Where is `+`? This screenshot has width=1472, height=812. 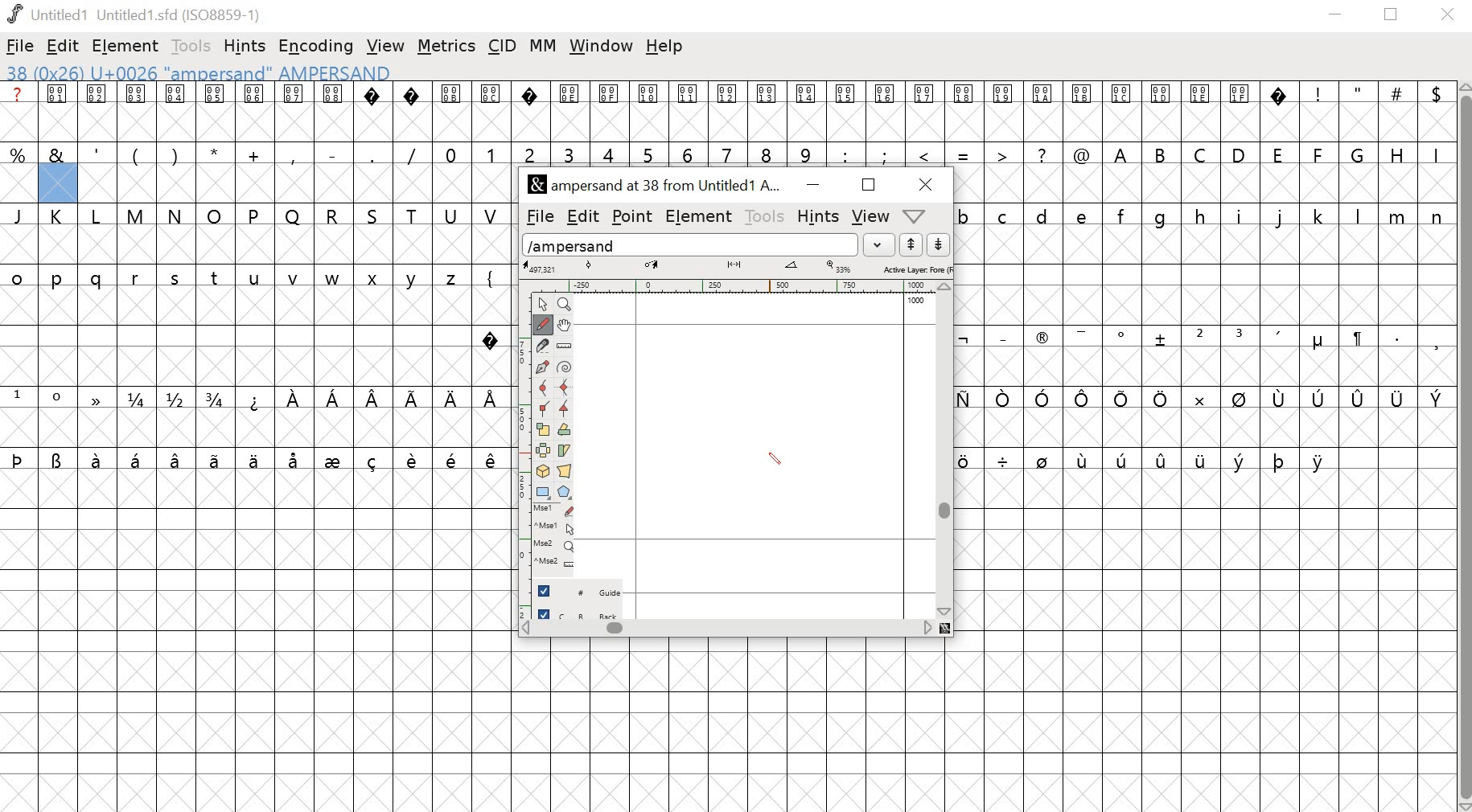
+ is located at coordinates (256, 154).